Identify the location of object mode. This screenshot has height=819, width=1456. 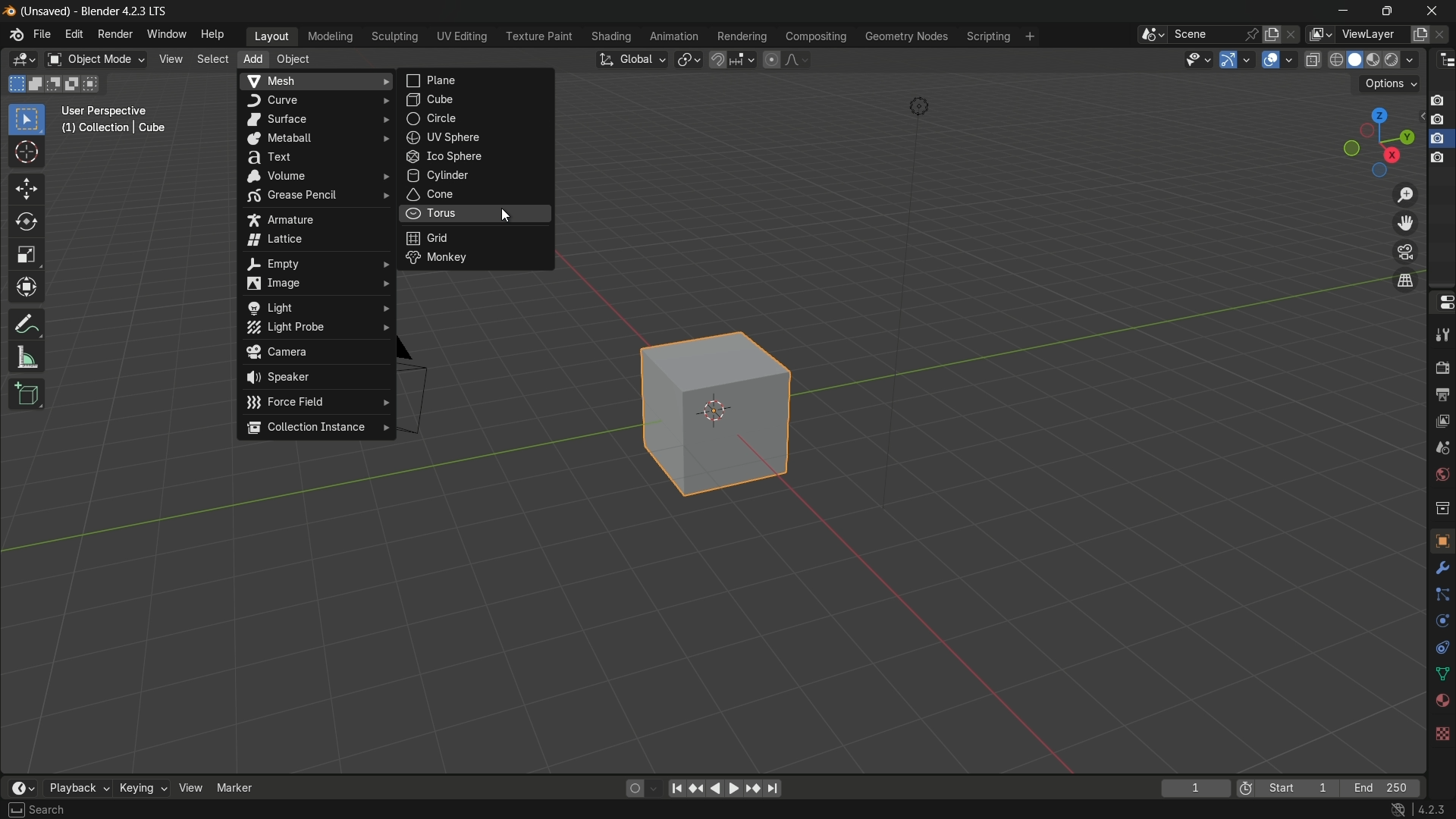
(96, 60).